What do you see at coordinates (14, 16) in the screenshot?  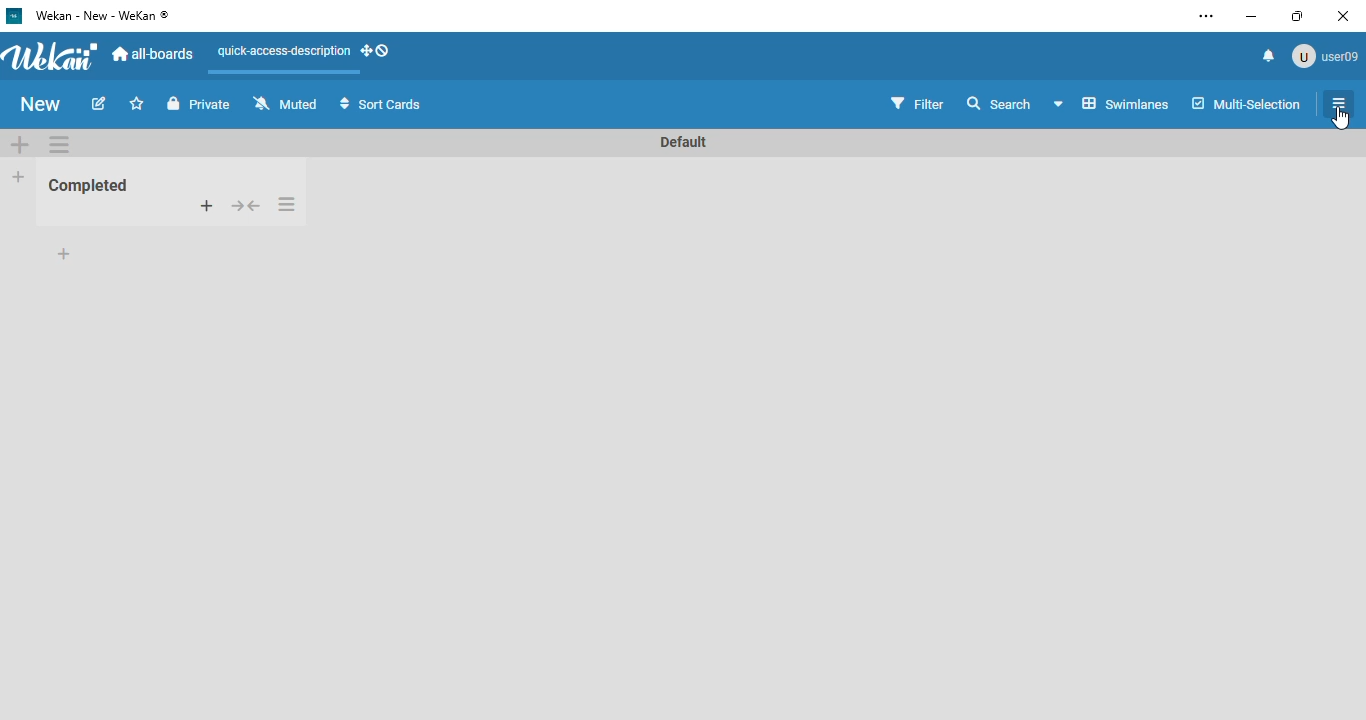 I see `logo` at bounding box center [14, 16].